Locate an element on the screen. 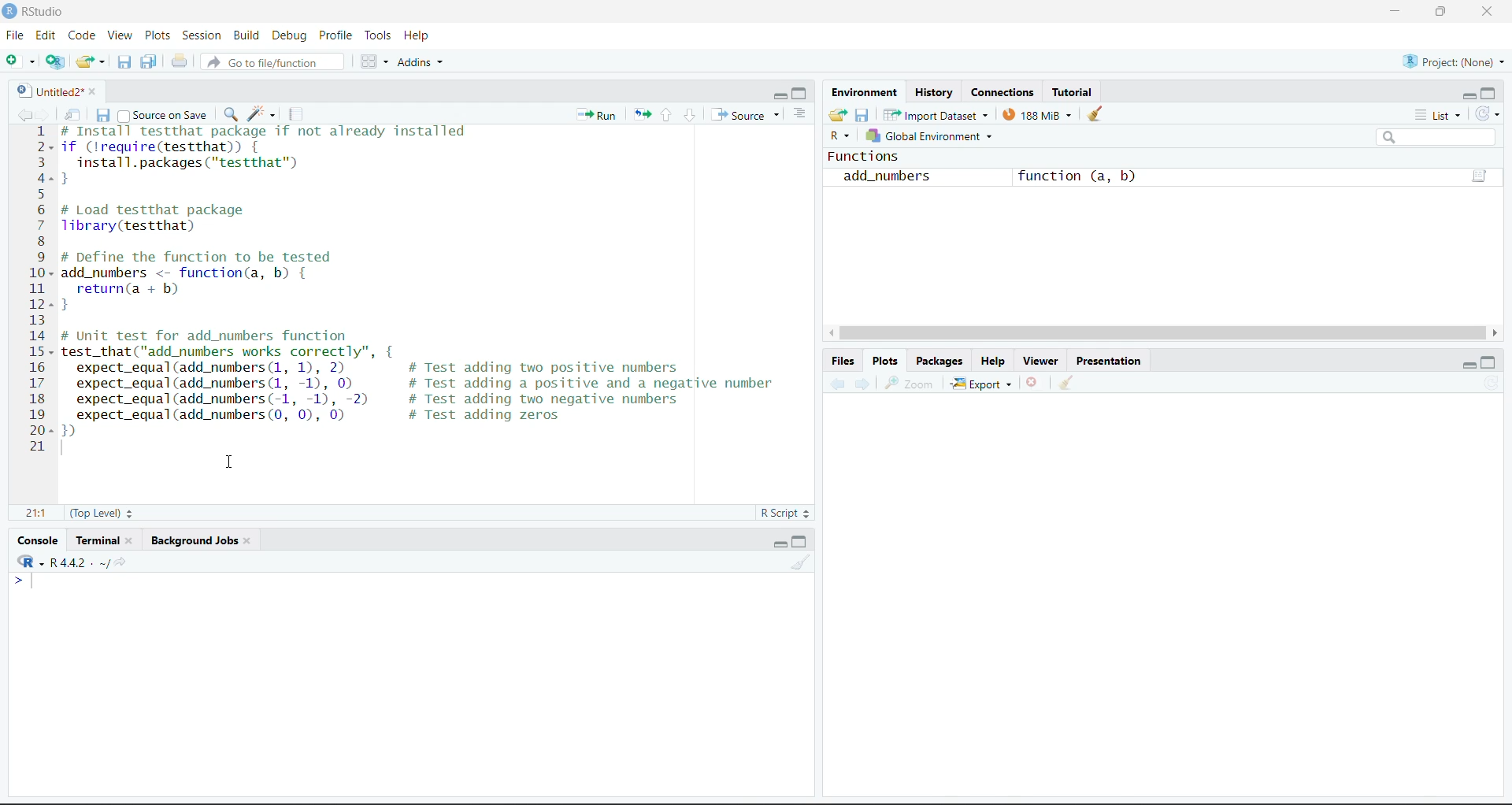 The image size is (1512, 805). run is located at coordinates (597, 114).